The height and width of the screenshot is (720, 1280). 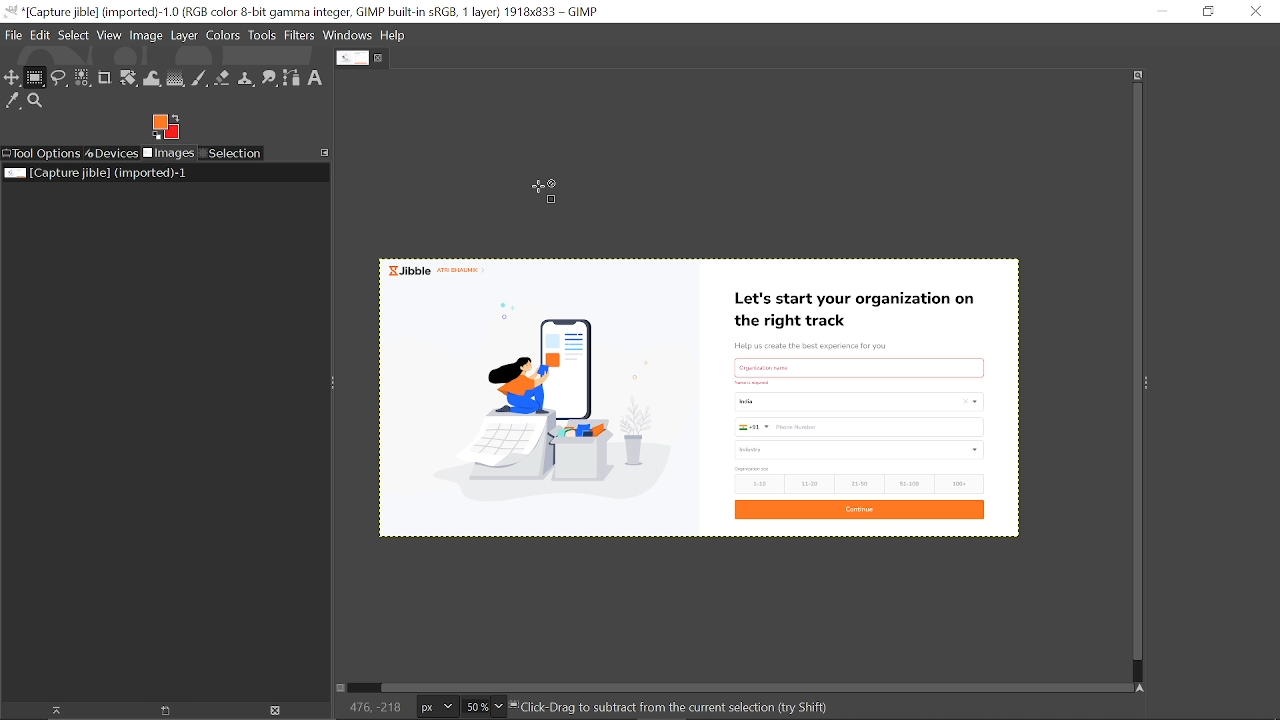 I want to click on text, so click(x=860, y=365).